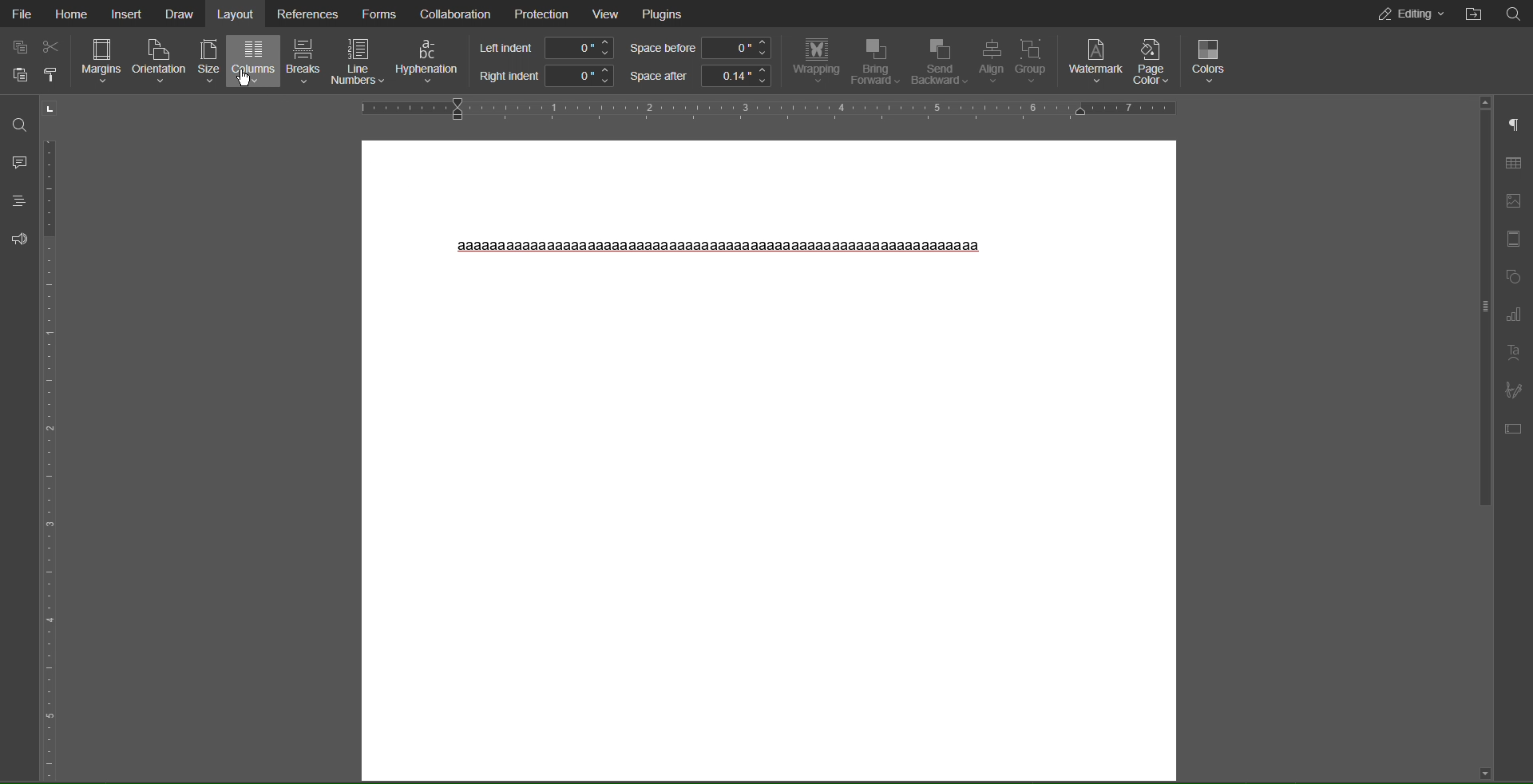 The image size is (1533, 784). I want to click on Text File Settings, so click(1514, 426).